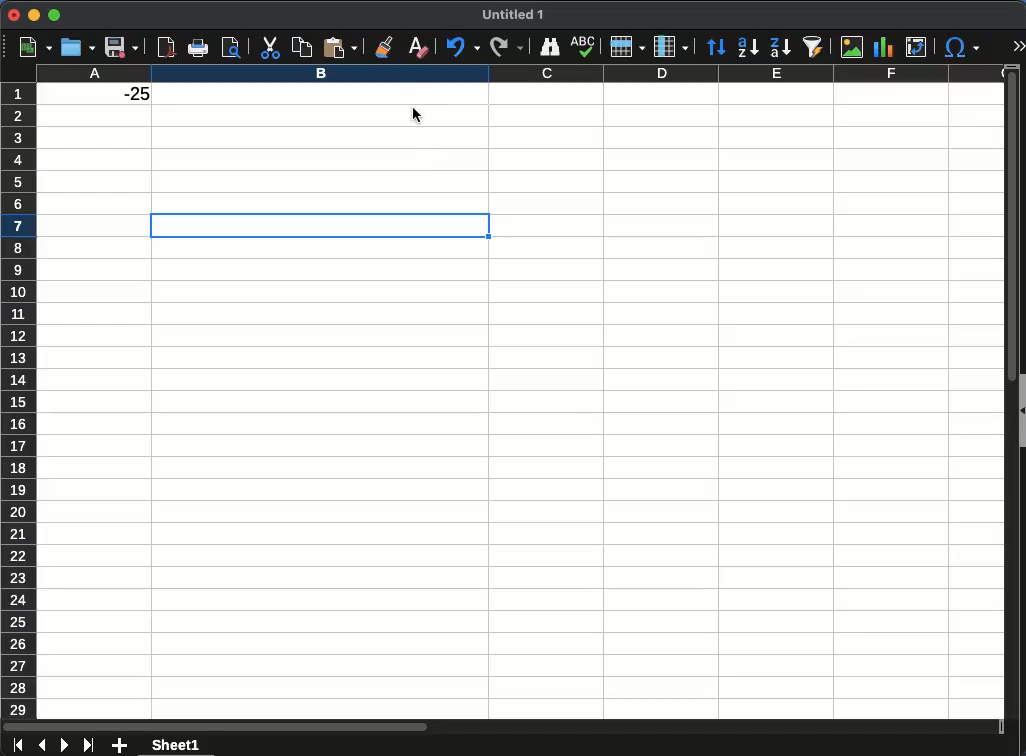 The width and height of the screenshot is (1026, 756). Describe the element at coordinates (415, 45) in the screenshot. I see `clear formatting` at that location.